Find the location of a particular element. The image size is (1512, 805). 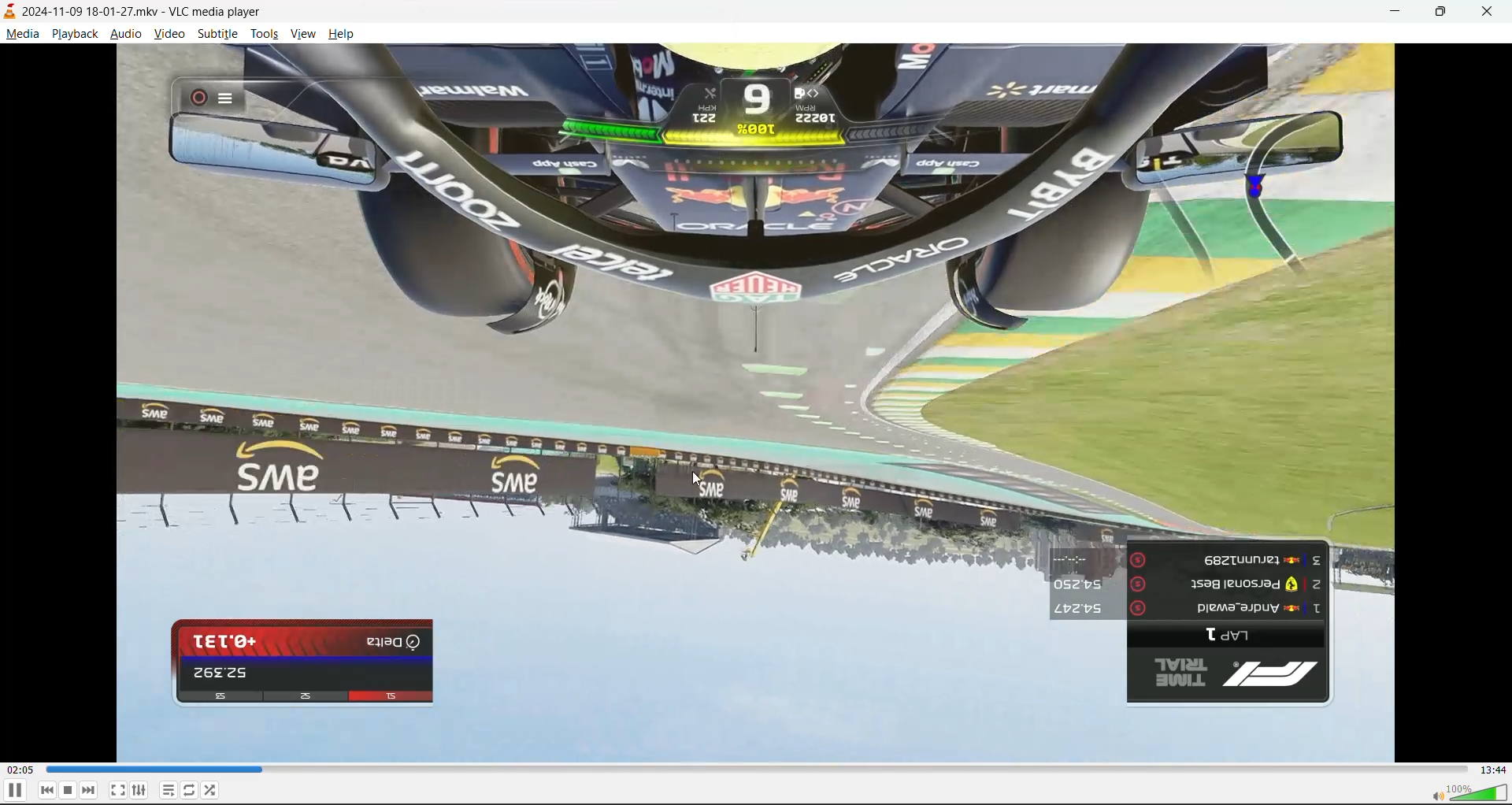

tools is located at coordinates (265, 37).